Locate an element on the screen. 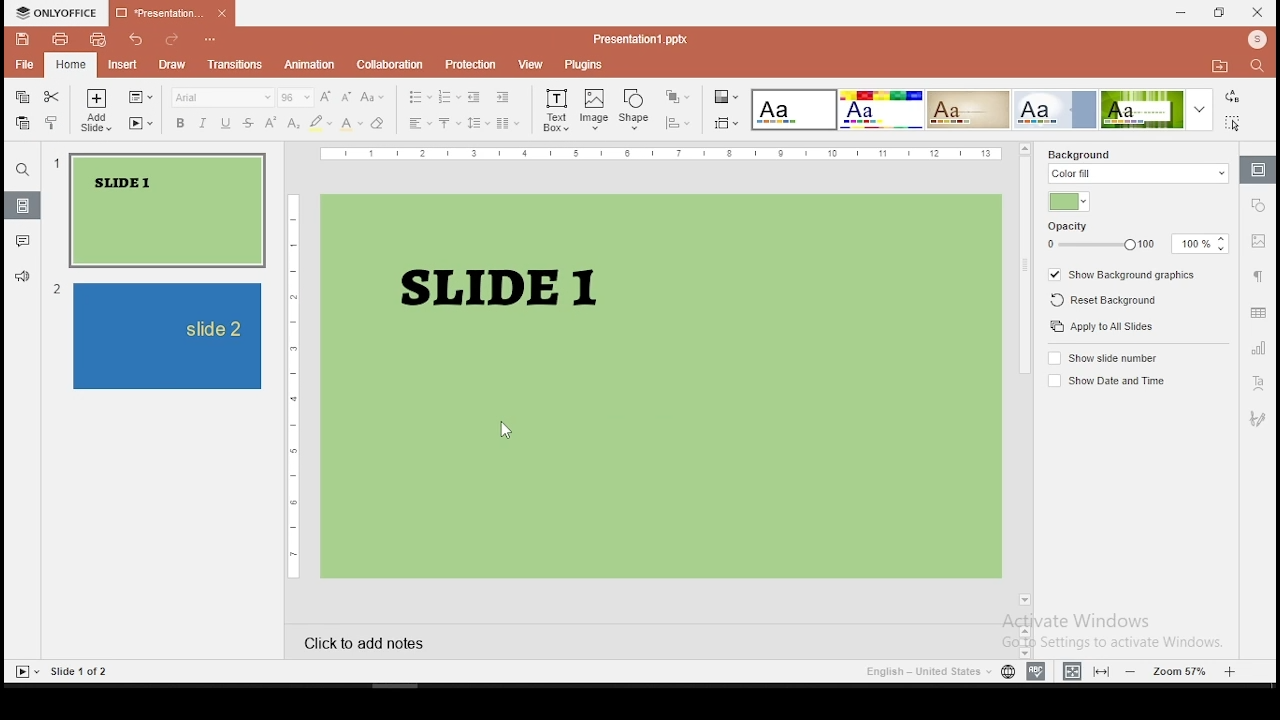  feedback and support is located at coordinates (23, 275).